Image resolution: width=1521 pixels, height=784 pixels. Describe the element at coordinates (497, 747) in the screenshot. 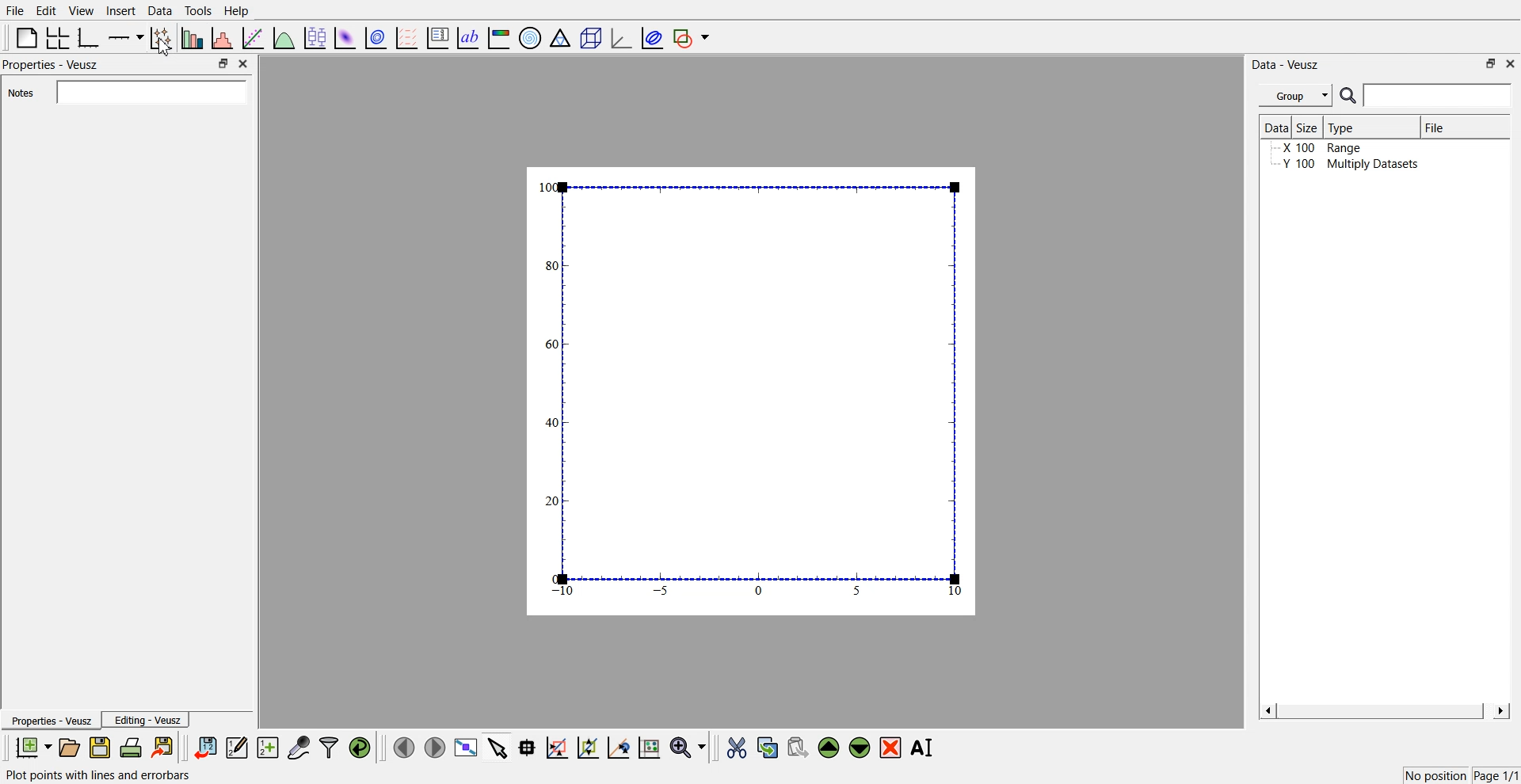

I see `select items` at that location.